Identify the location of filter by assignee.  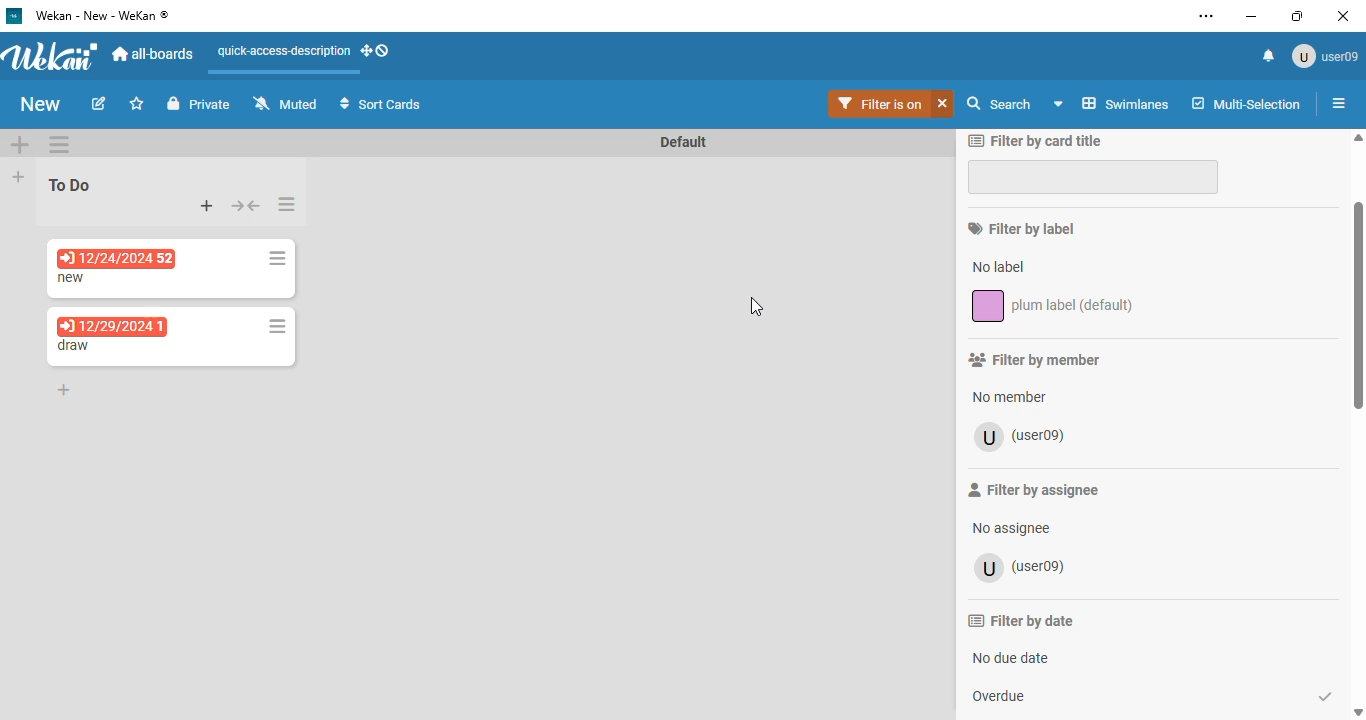
(1033, 490).